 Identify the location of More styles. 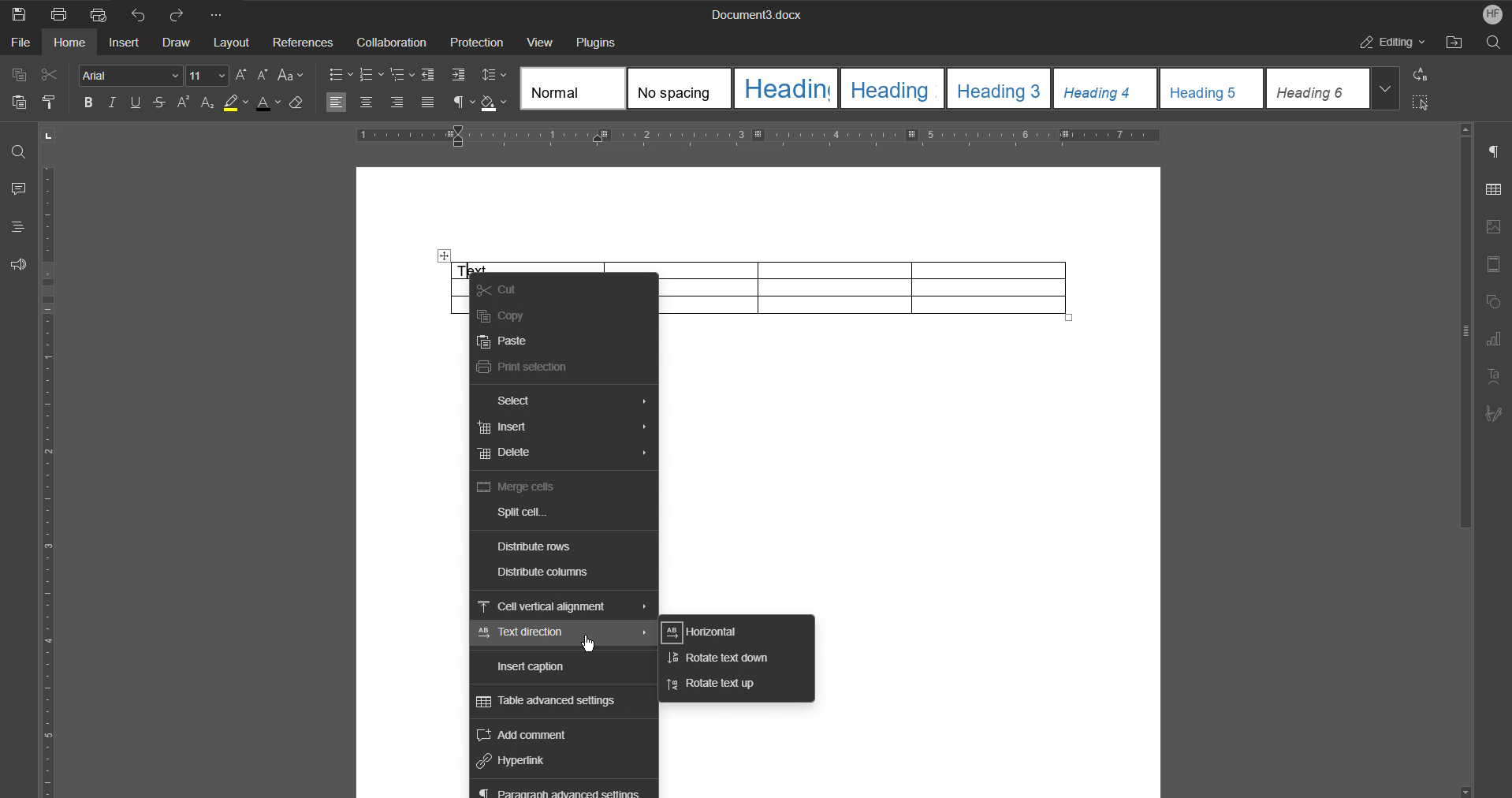
(1387, 88).